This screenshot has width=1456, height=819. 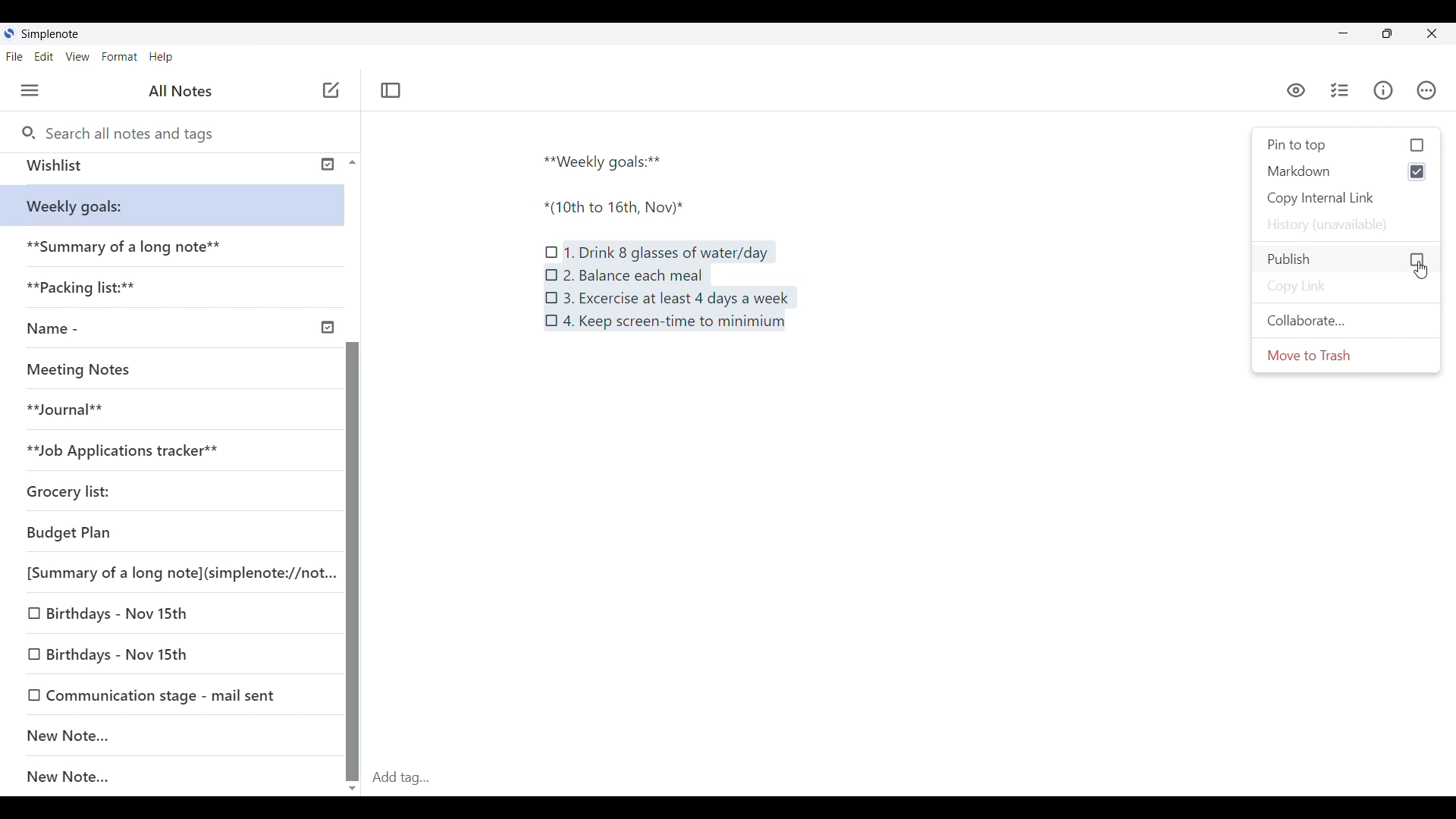 What do you see at coordinates (676, 299) in the screenshot?
I see `3. Excercise at least 4 days a week` at bounding box center [676, 299].